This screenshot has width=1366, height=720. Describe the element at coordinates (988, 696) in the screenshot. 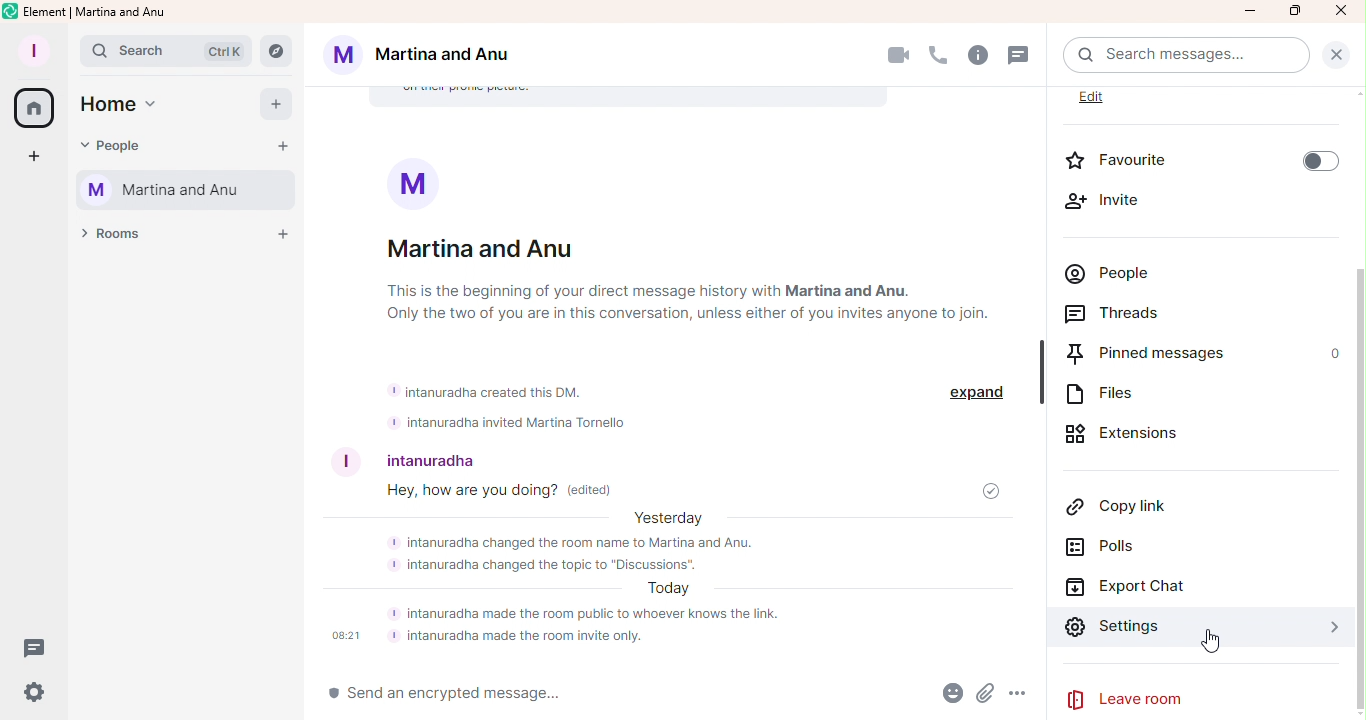

I see `Attachment` at that location.